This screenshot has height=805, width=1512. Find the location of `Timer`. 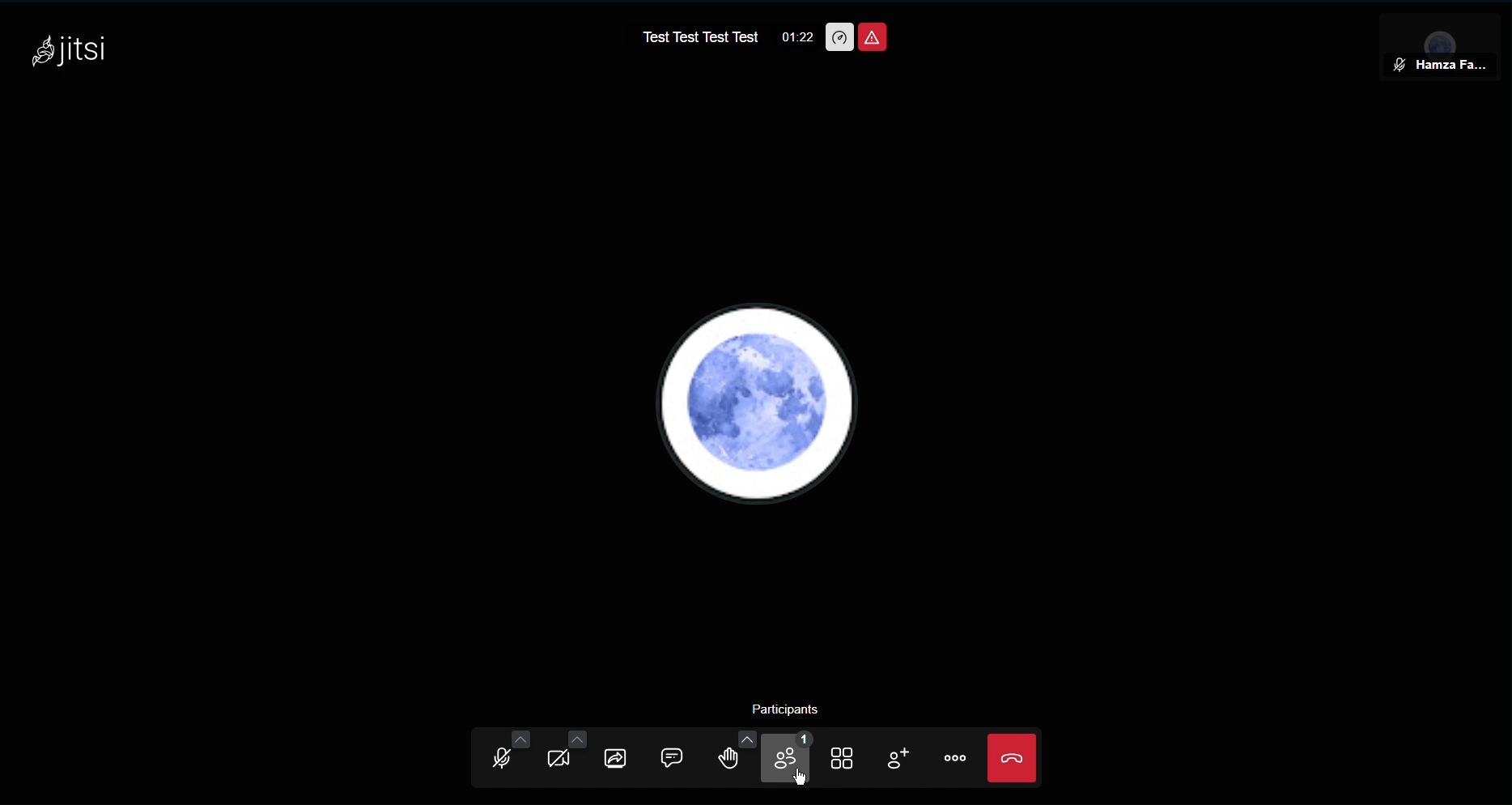

Timer is located at coordinates (792, 38).